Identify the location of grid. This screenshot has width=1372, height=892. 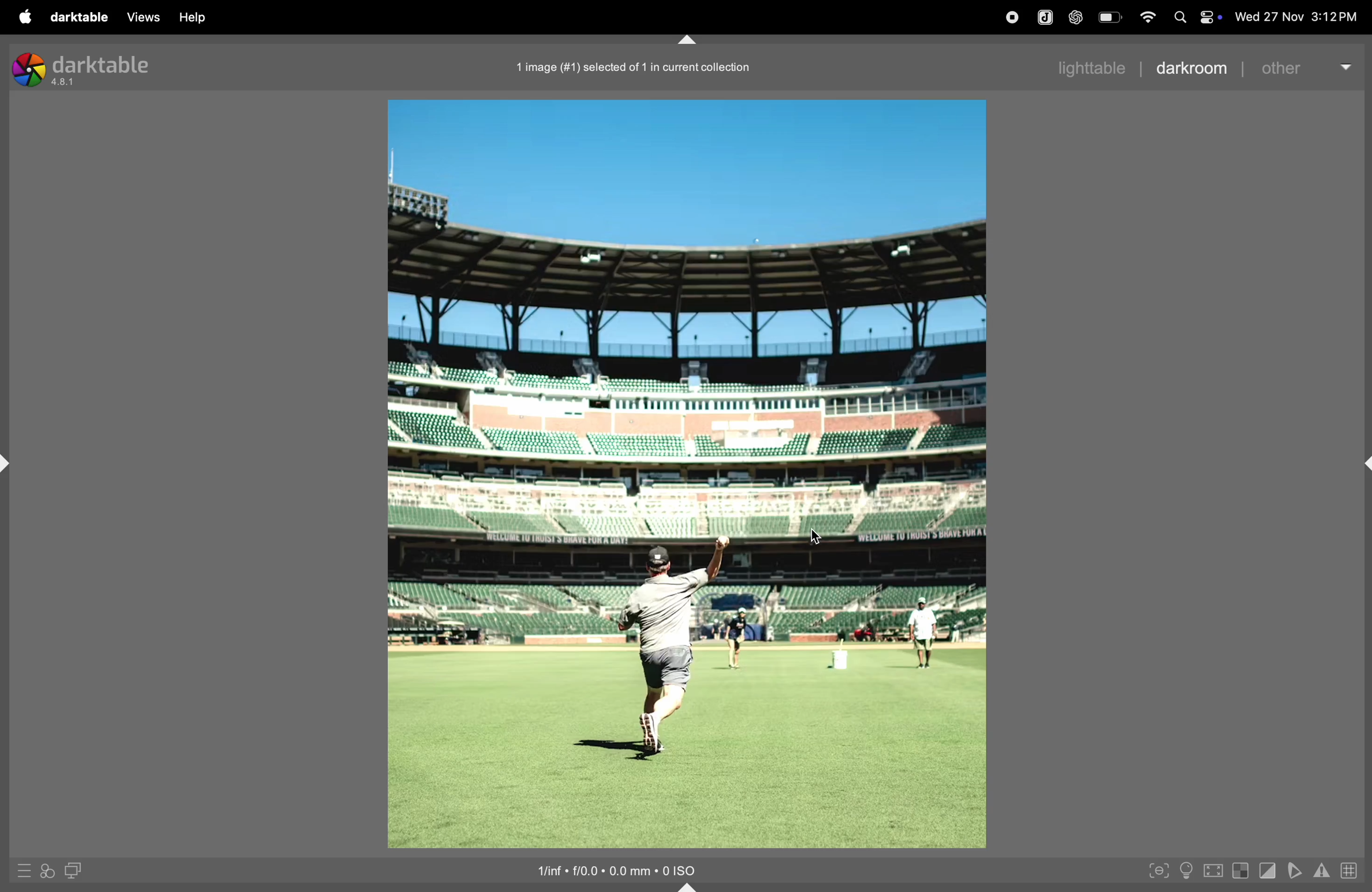
(1352, 870).